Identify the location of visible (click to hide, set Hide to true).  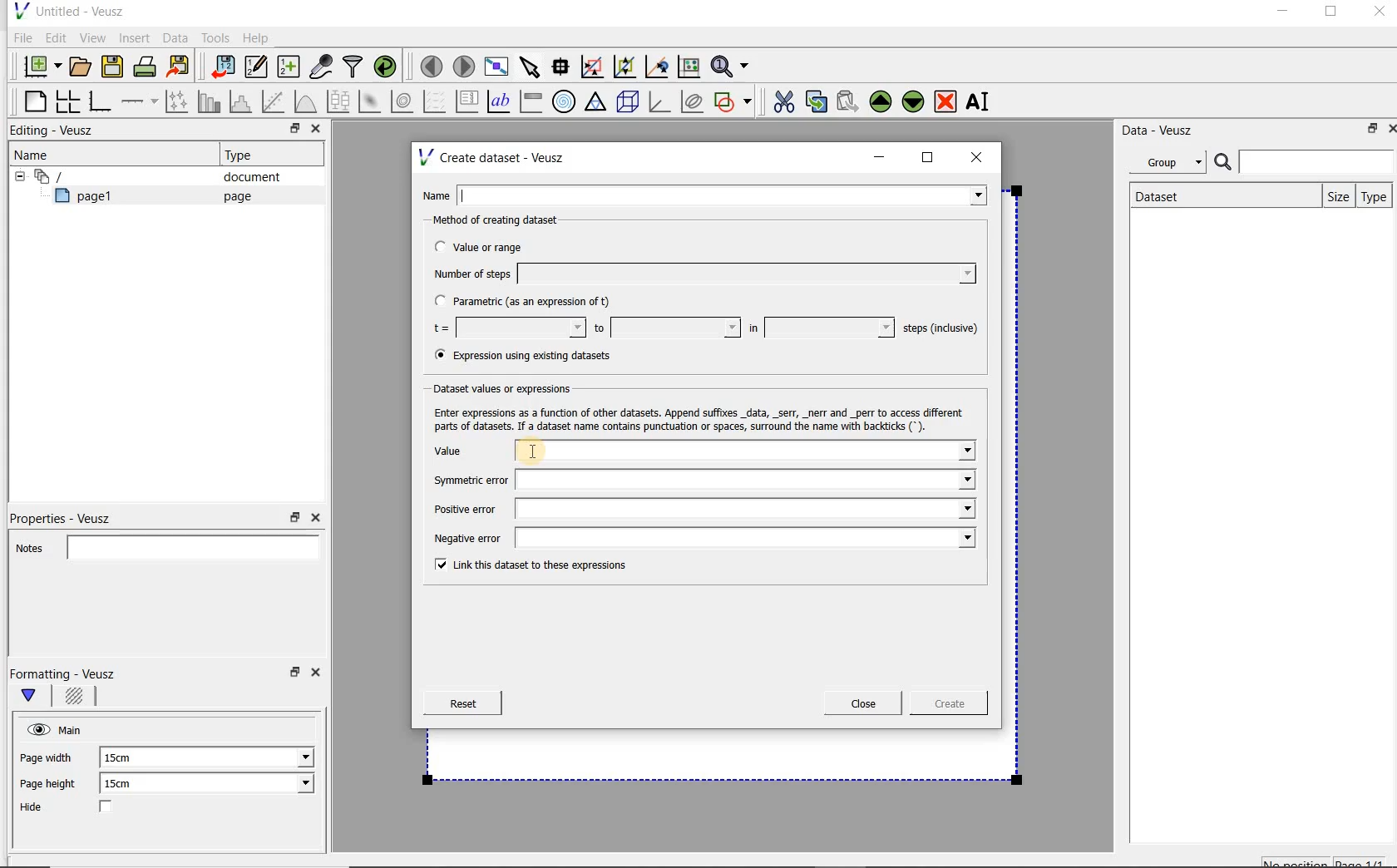
(36, 729).